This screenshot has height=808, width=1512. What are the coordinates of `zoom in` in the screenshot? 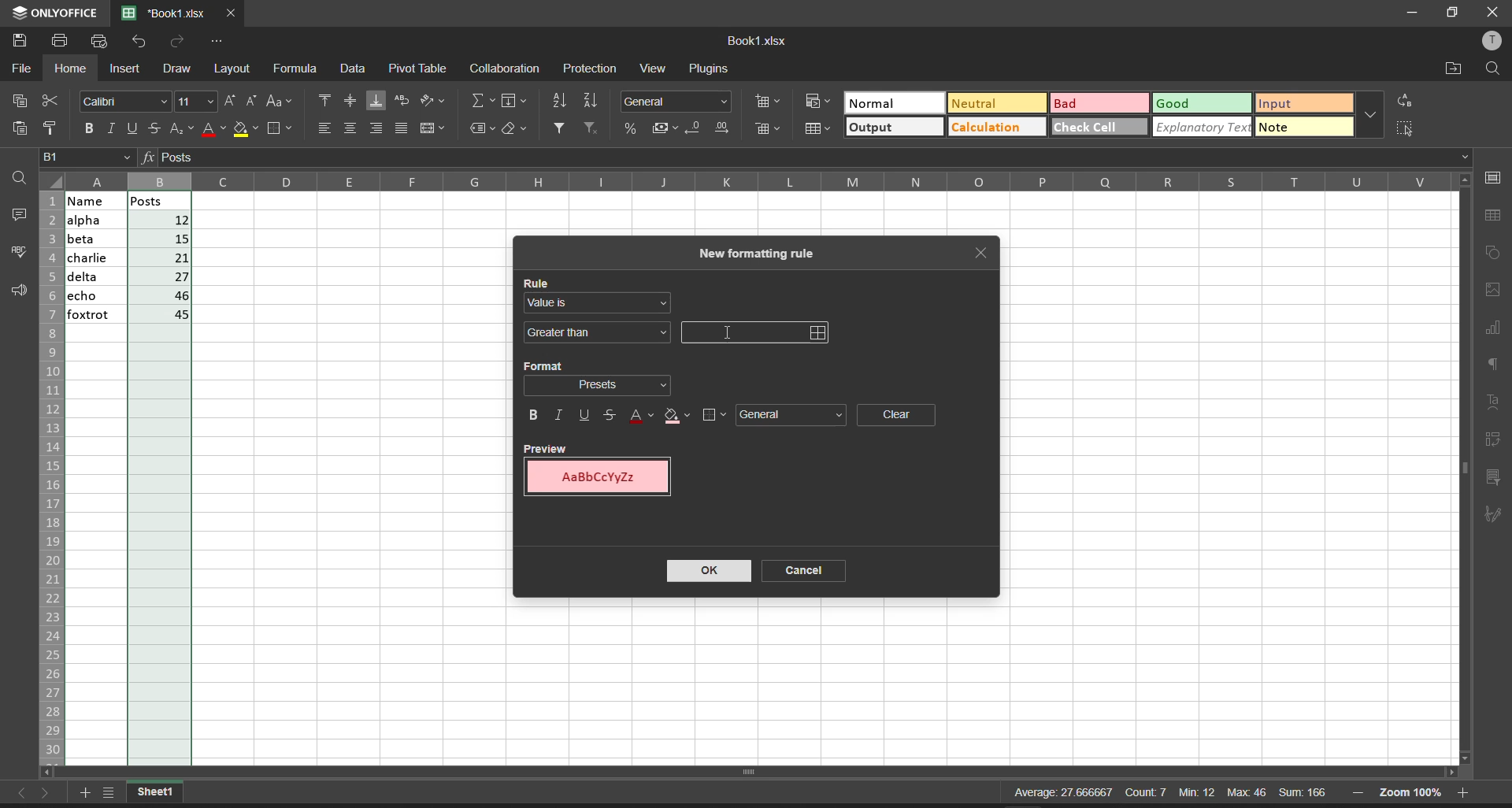 It's located at (1466, 791).